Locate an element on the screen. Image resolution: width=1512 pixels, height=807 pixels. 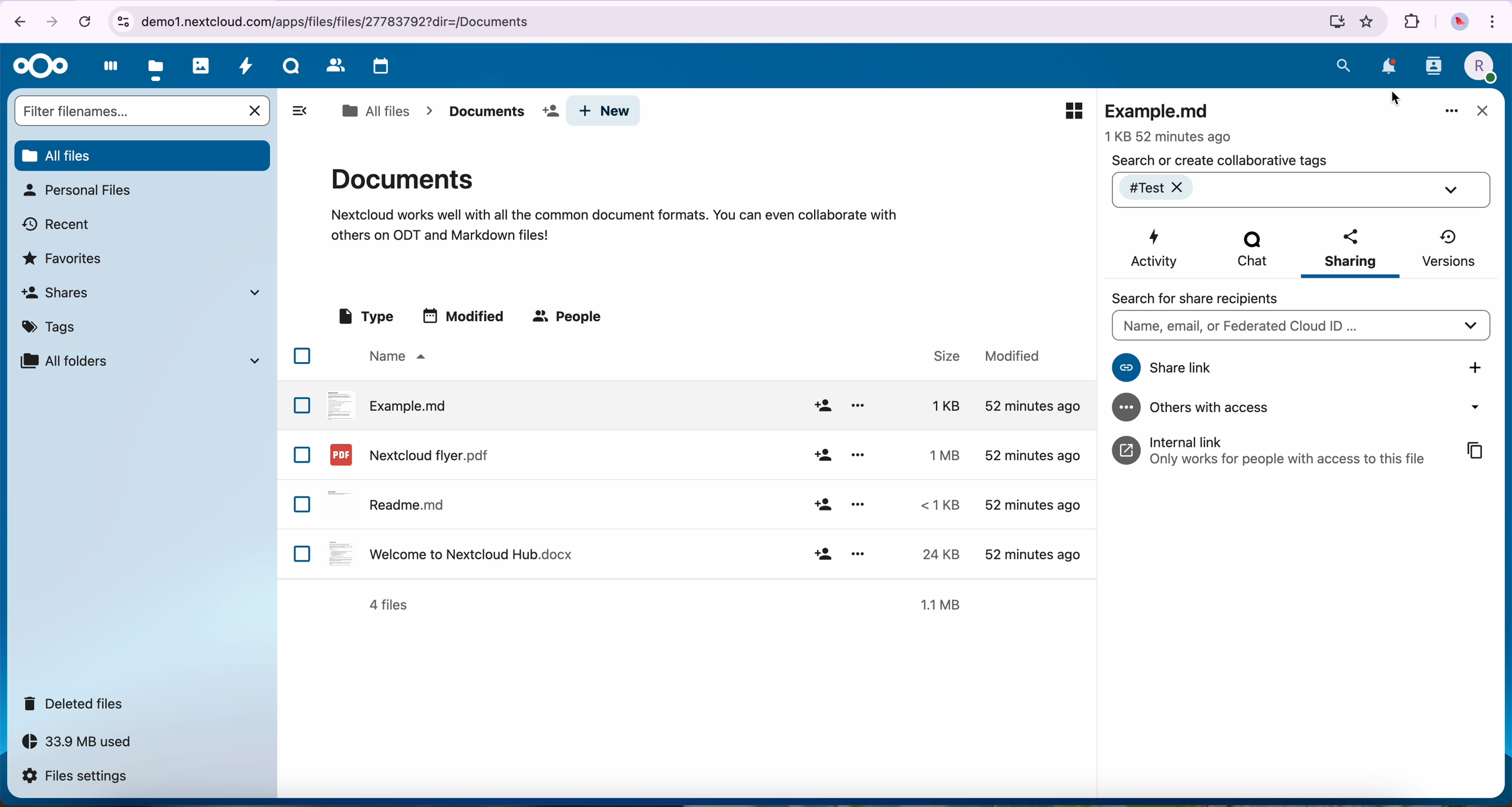
customize and control Google Chrome is located at coordinates (1496, 20).